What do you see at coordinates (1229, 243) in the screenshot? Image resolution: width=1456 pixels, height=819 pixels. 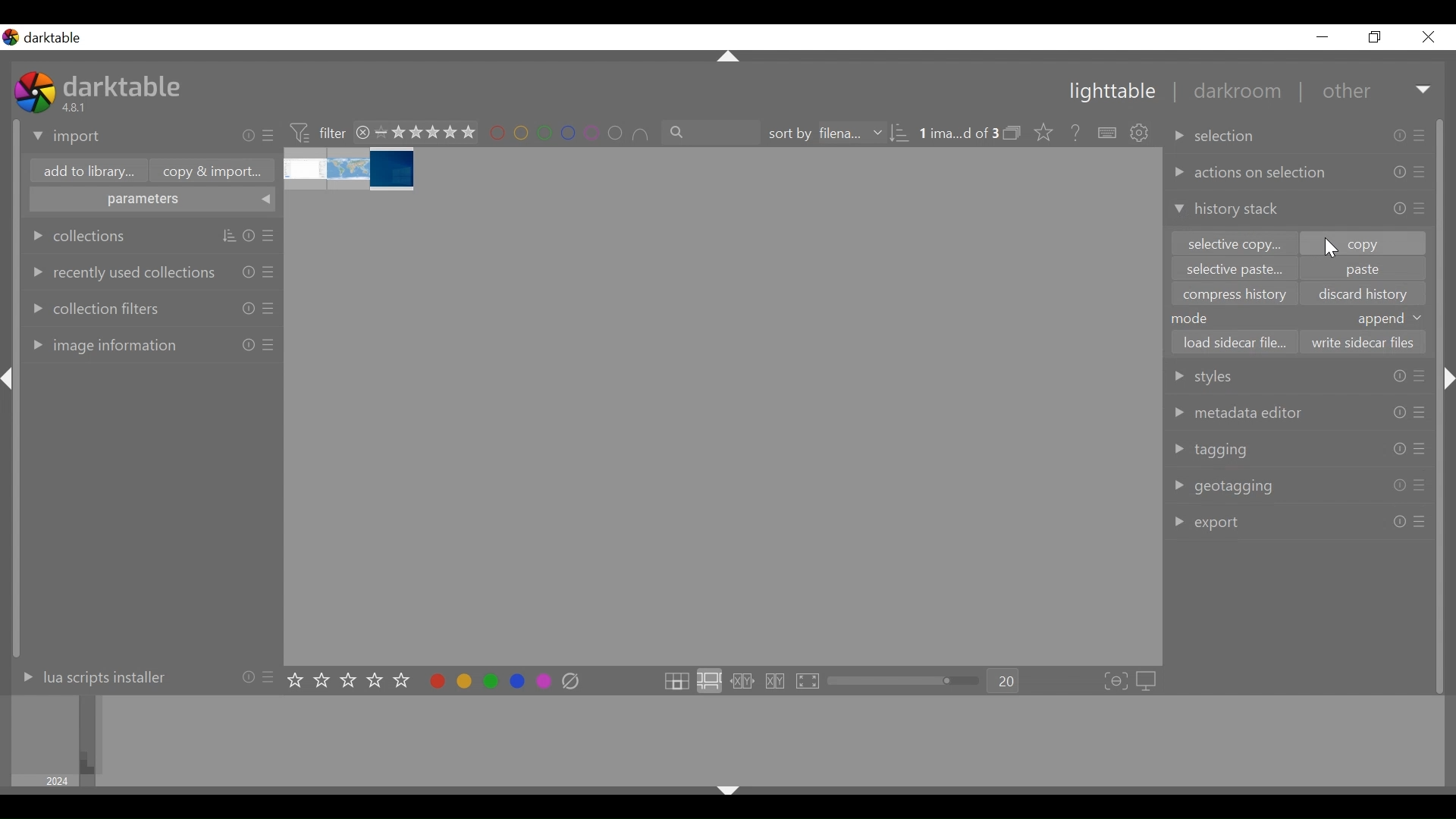 I see `selection copy` at bounding box center [1229, 243].